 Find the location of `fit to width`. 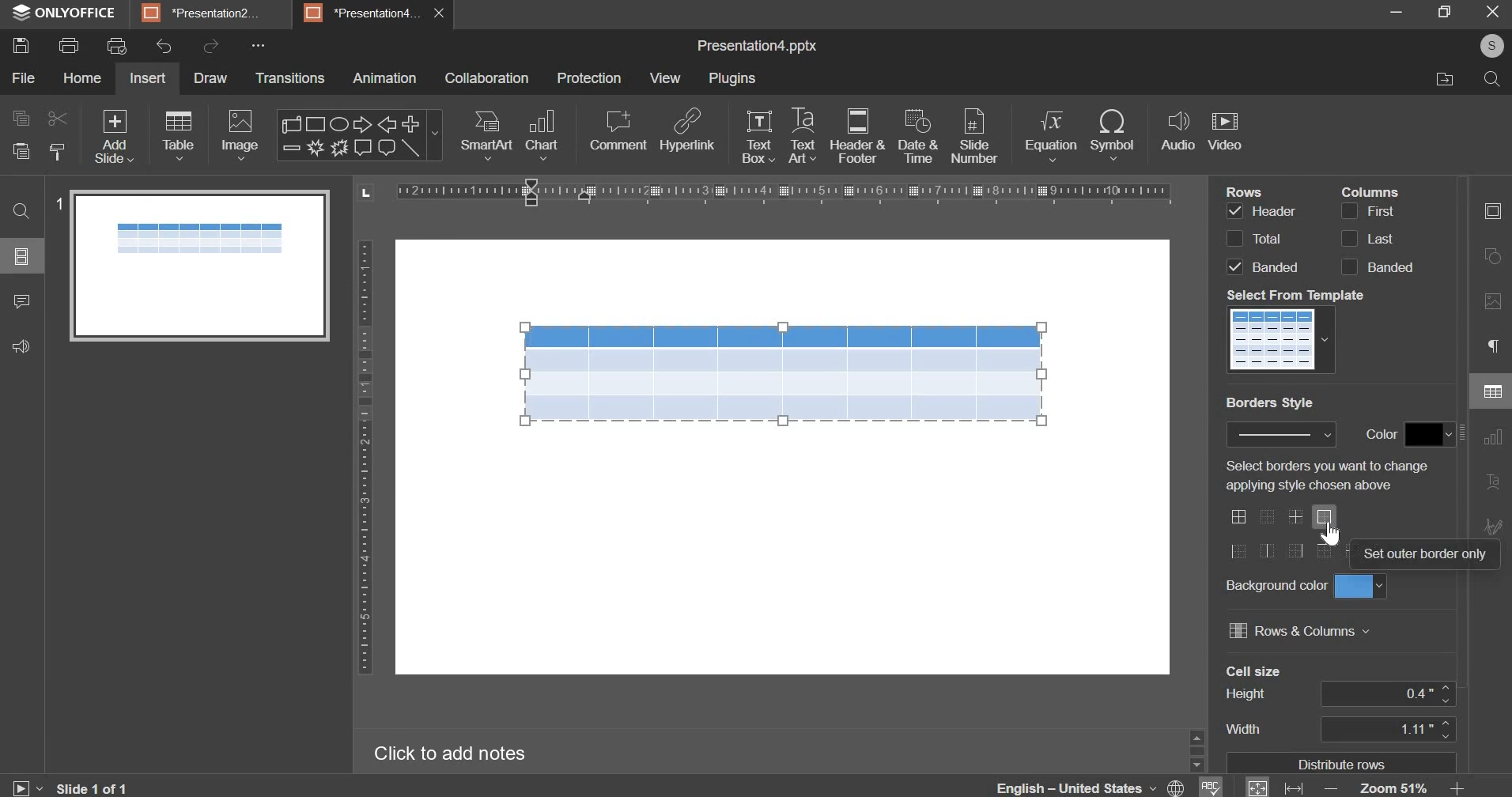

fit to width is located at coordinates (1295, 788).